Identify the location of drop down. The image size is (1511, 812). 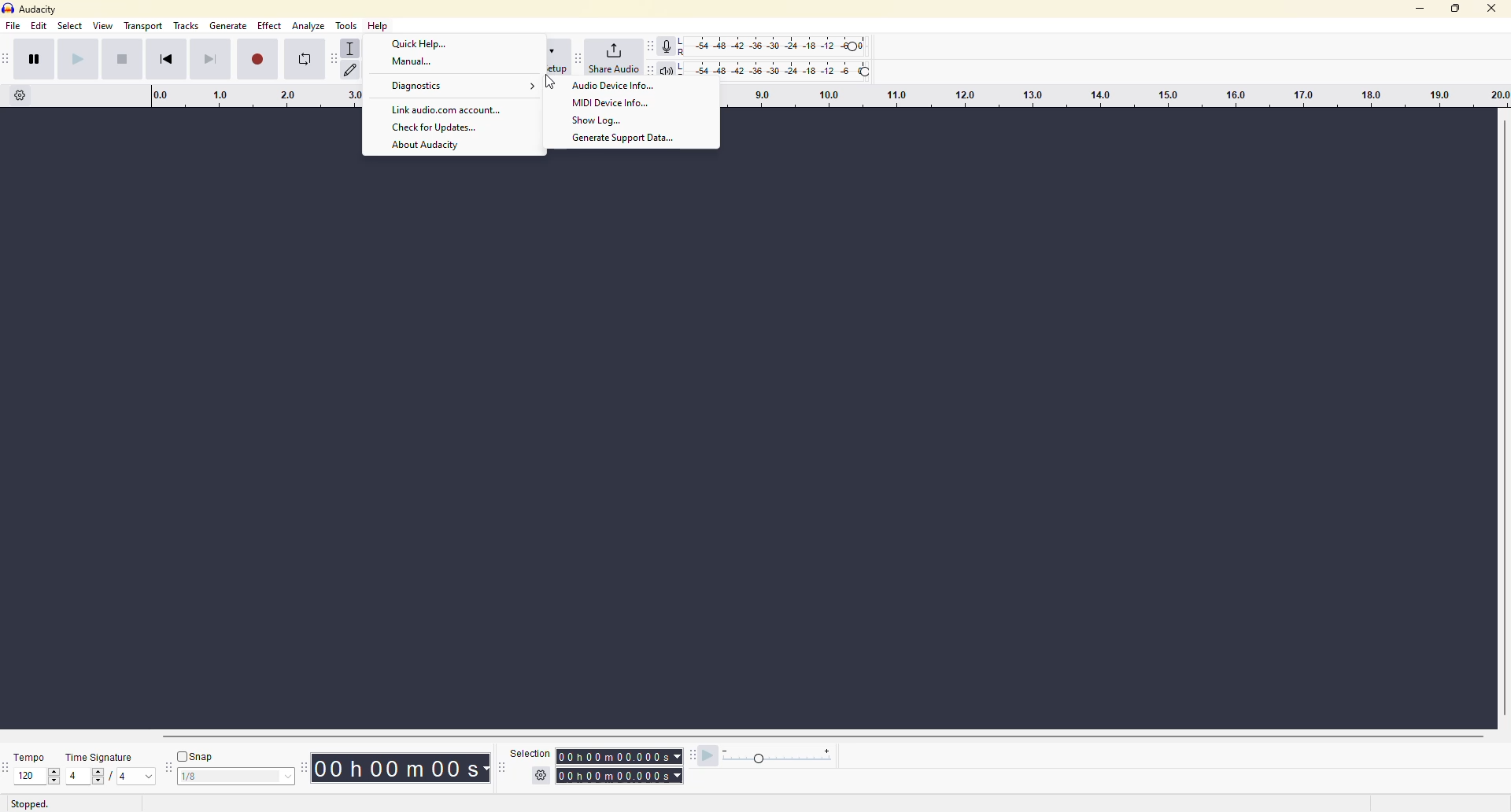
(289, 776).